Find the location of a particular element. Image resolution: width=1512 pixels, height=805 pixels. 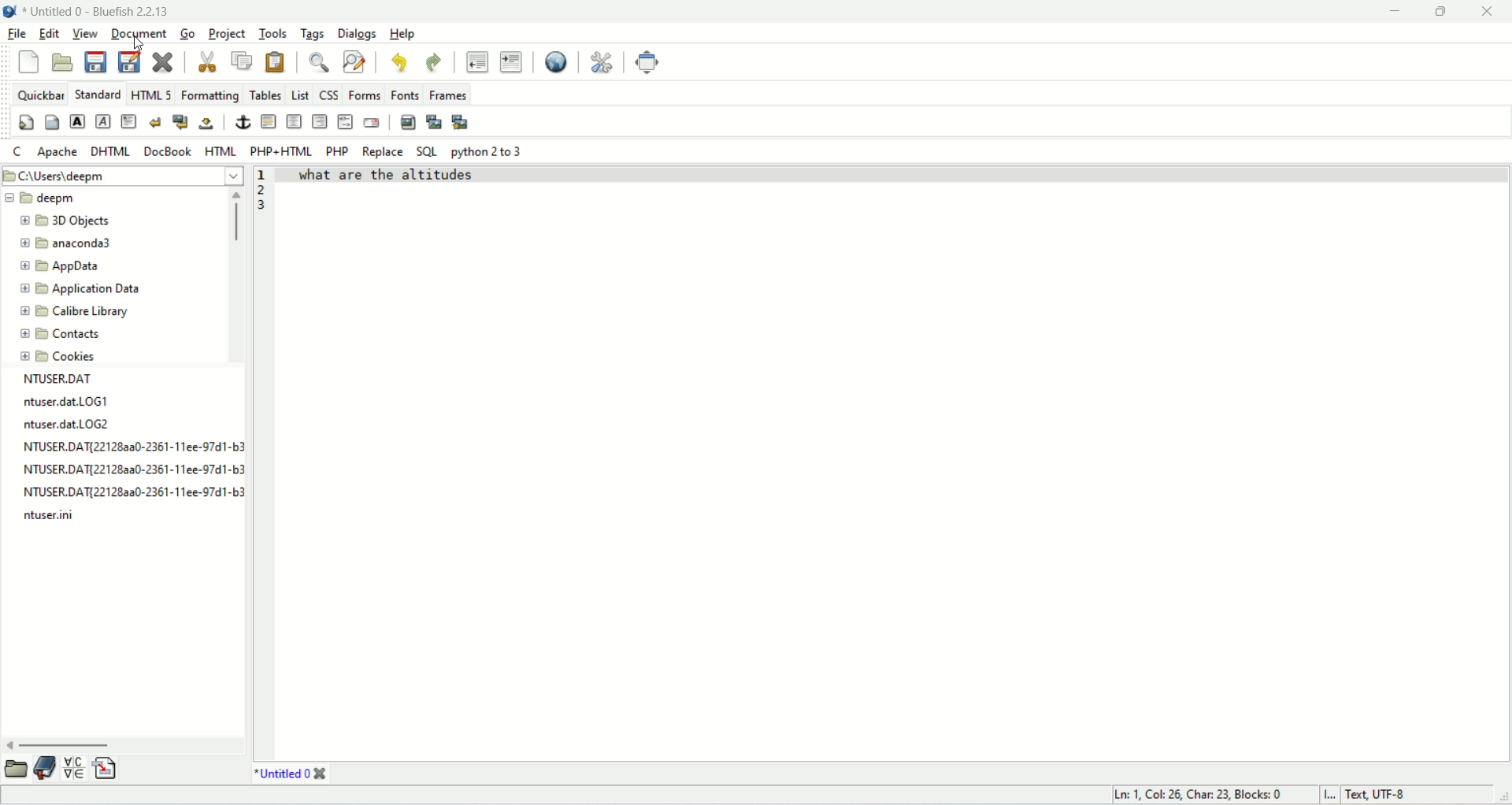

paste is located at coordinates (272, 61).